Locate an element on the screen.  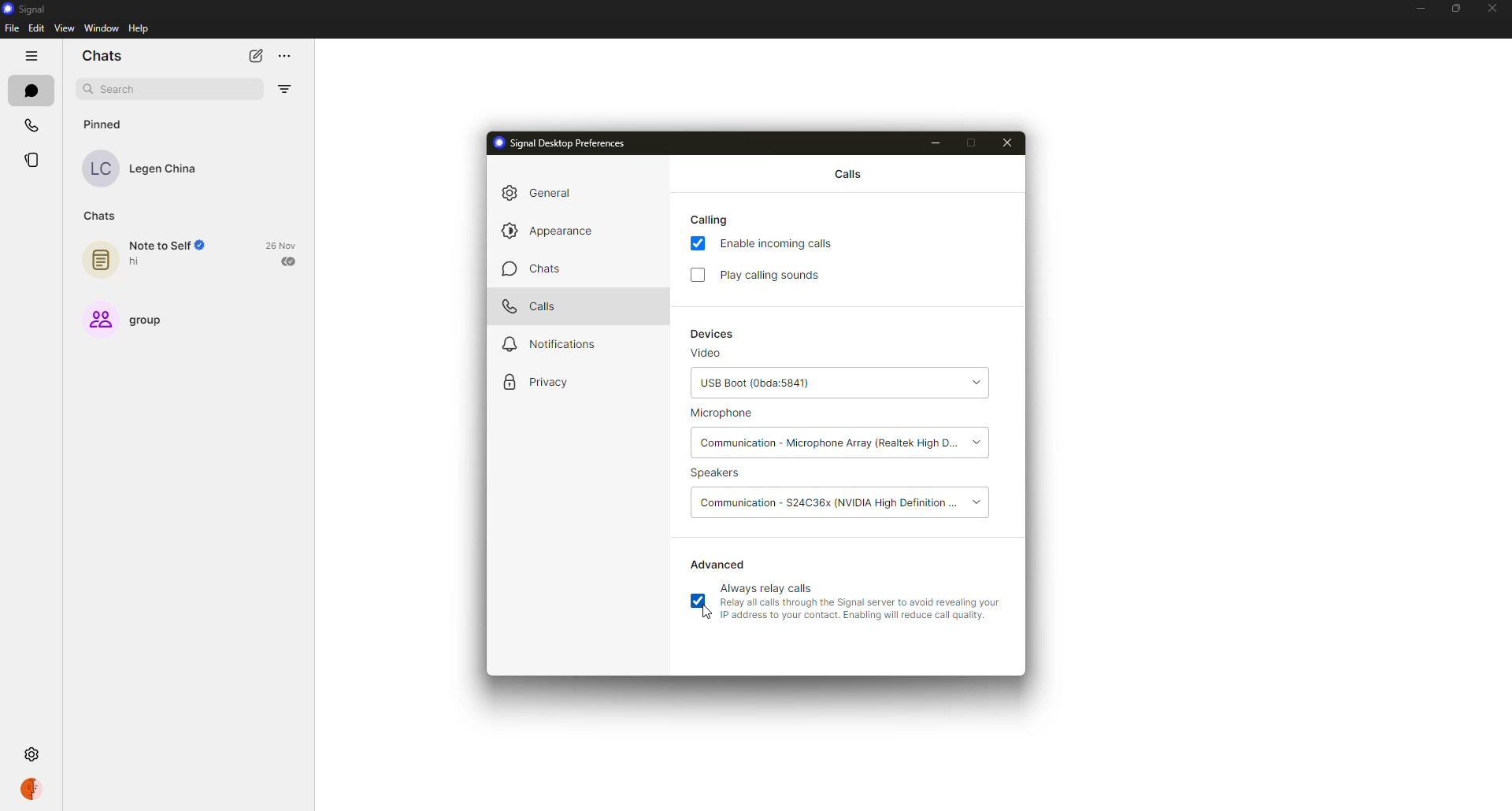
privacy is located at coordinates (535, 383).